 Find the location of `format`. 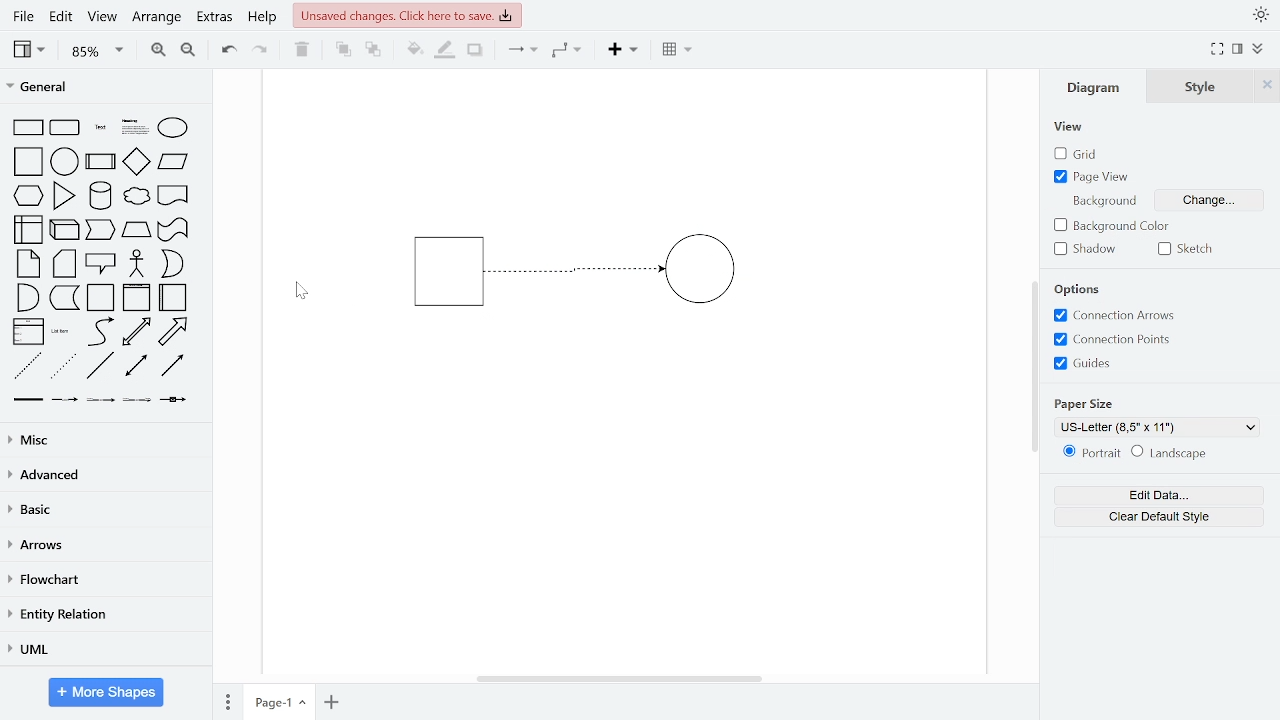

format is located at coordinates (1238, 49).